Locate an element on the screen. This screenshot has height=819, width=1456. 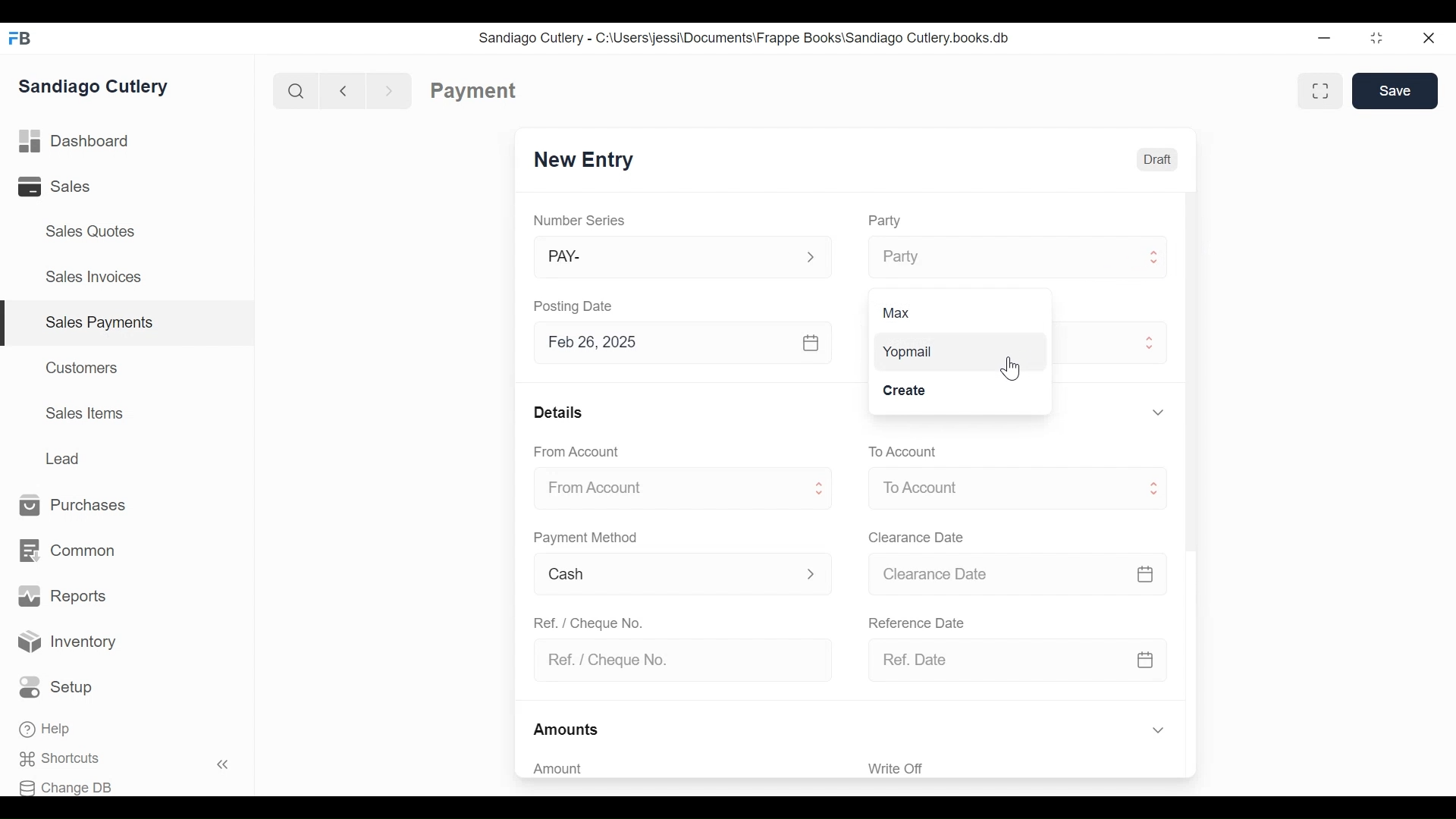
Restore is located at coordinates (1376, 39).